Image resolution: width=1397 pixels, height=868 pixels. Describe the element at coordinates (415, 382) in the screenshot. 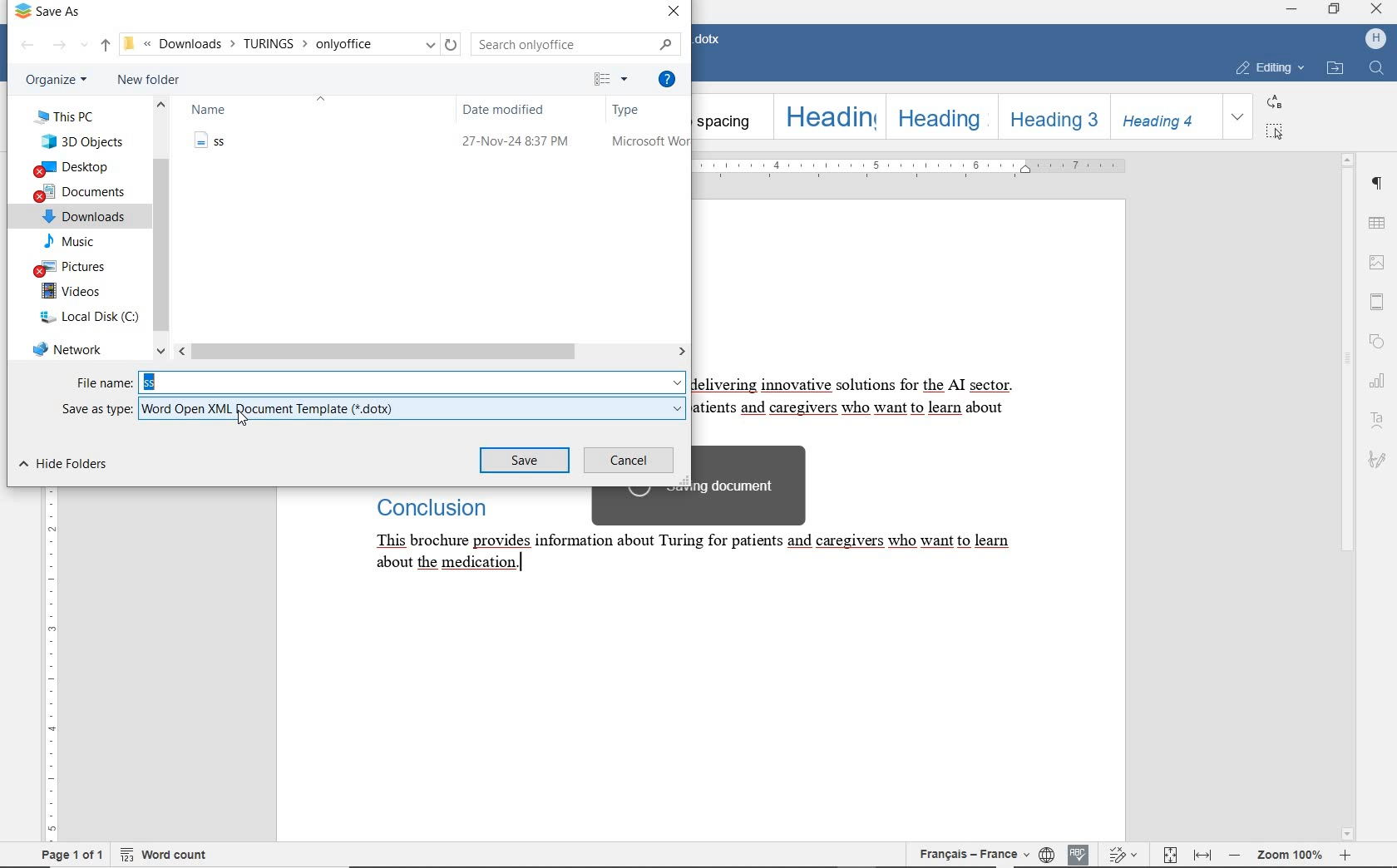

I see `ss` at that location.